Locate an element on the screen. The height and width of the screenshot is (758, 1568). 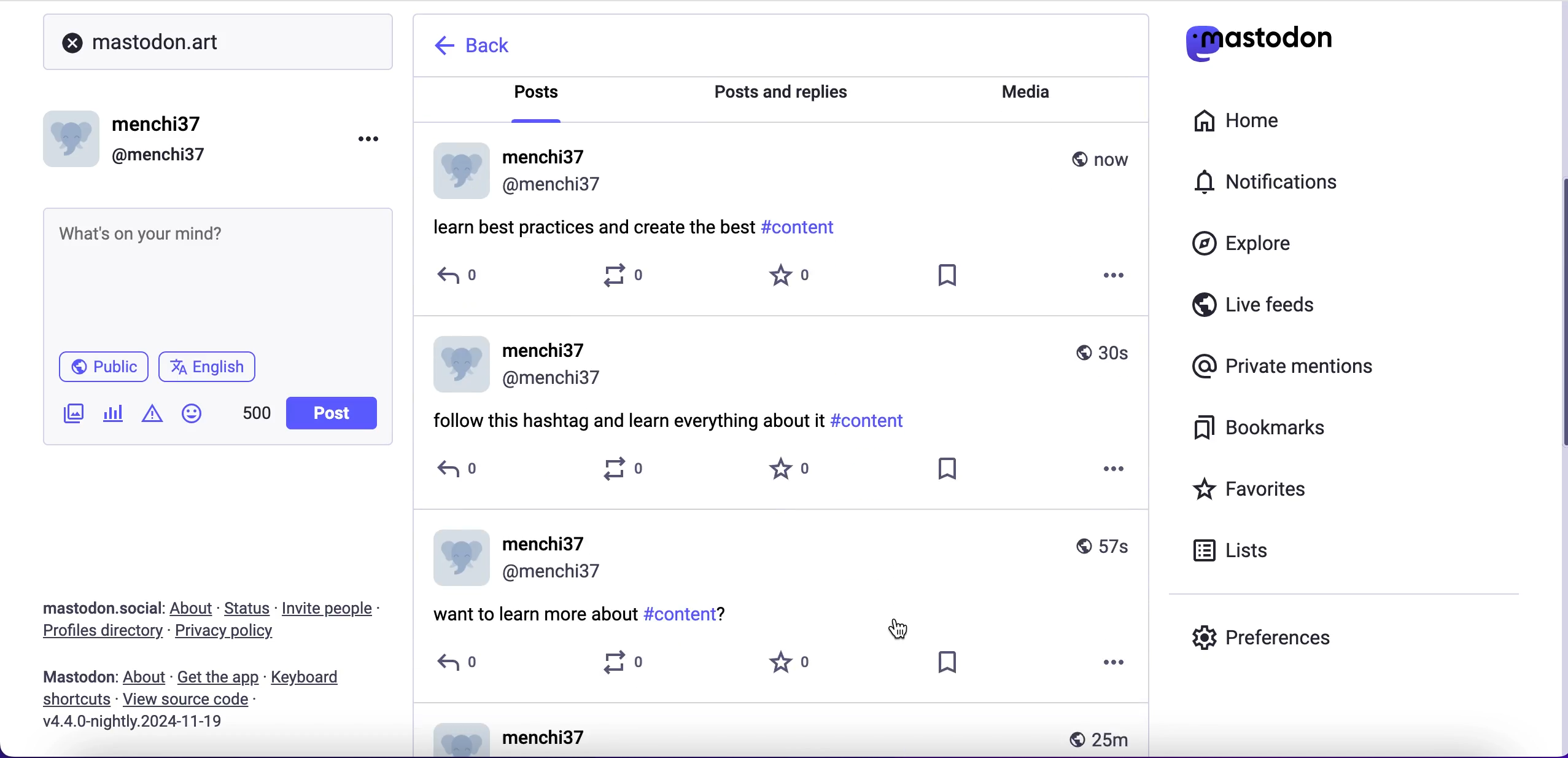
lists is located at coordinates (1241, 554).